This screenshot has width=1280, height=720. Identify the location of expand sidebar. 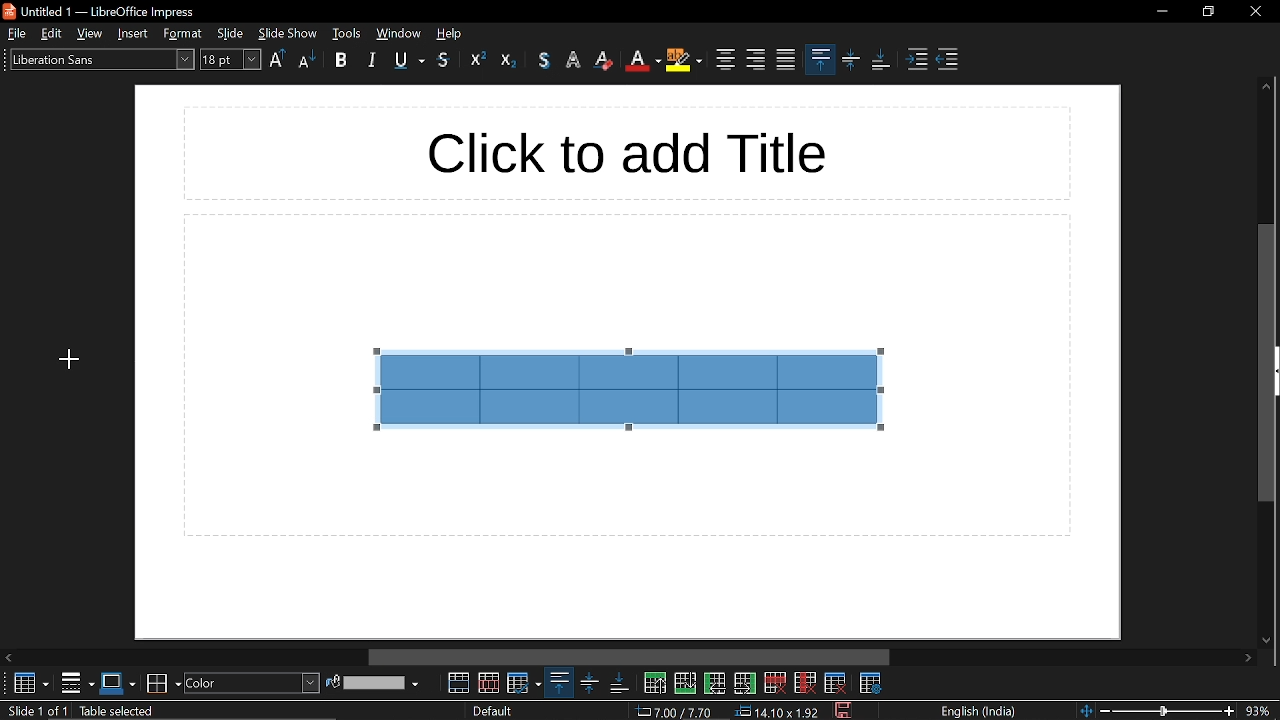
(1275, 370).